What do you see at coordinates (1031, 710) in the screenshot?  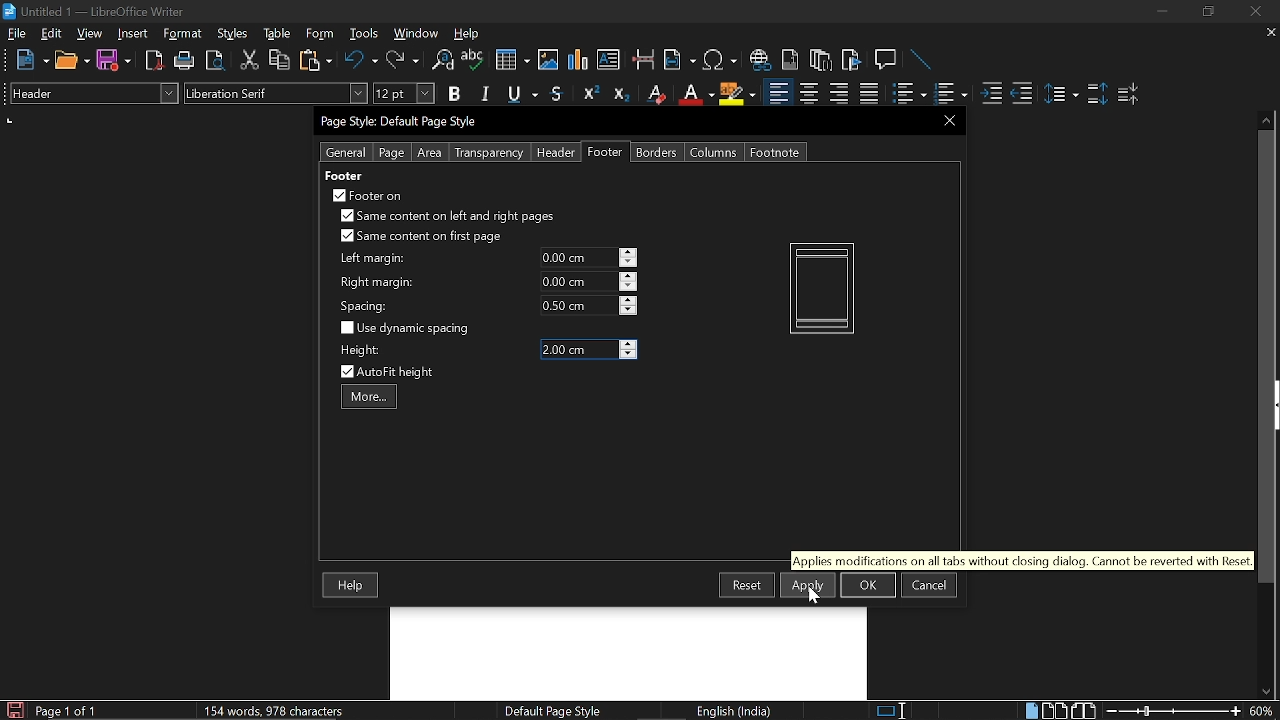 I see `Single page view` at bounding box center [1031, 710].